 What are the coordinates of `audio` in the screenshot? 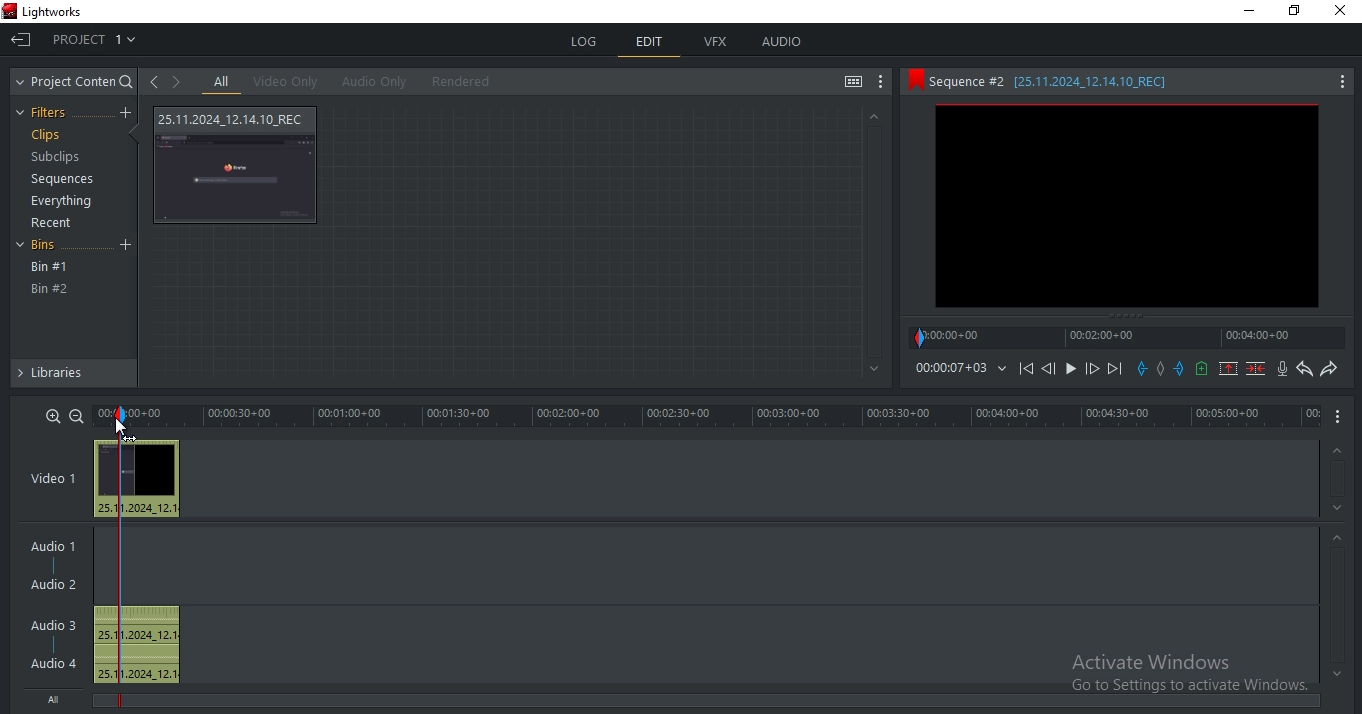 It's located at (141, 644).